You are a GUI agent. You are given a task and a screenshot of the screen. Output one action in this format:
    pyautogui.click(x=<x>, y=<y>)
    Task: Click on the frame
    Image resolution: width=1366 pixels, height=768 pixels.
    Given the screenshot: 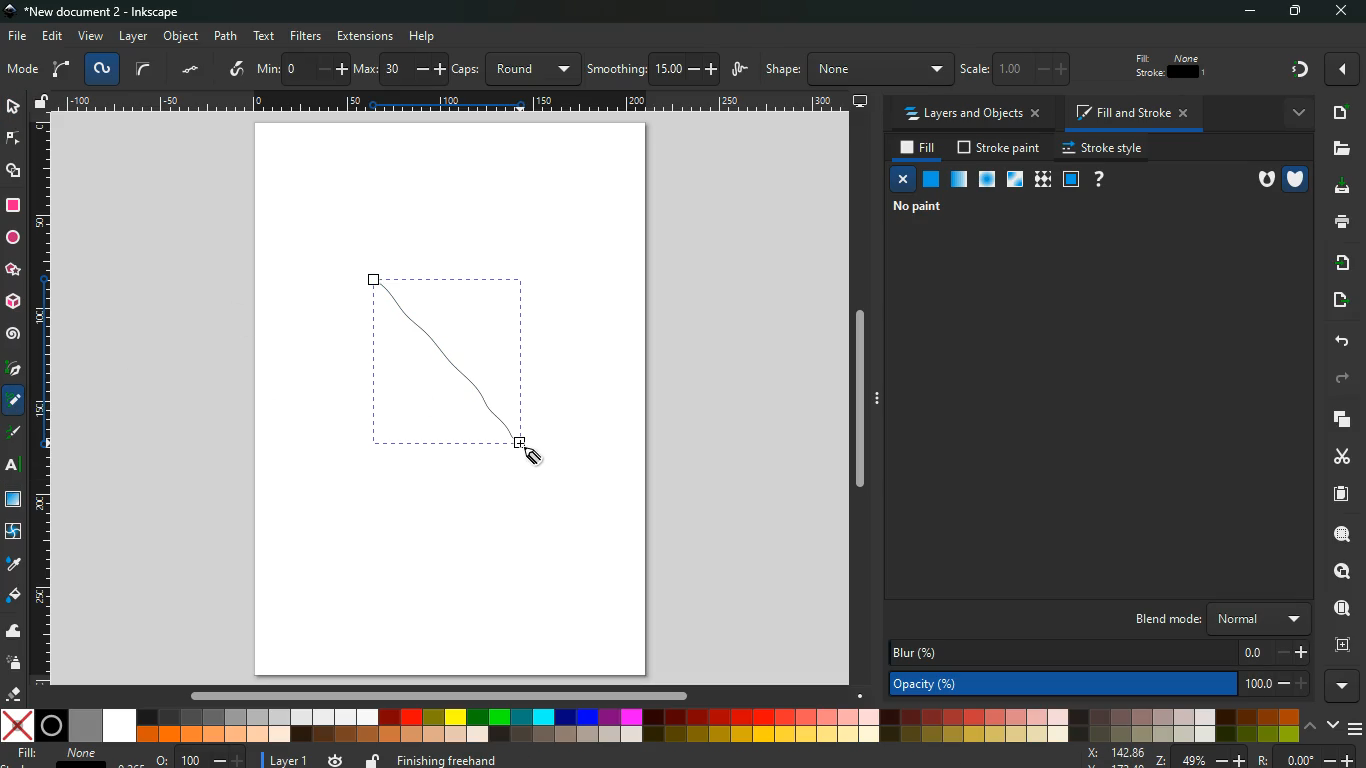 What is the action you would take?
    pyautogui.click(x=1071, y=179)
    